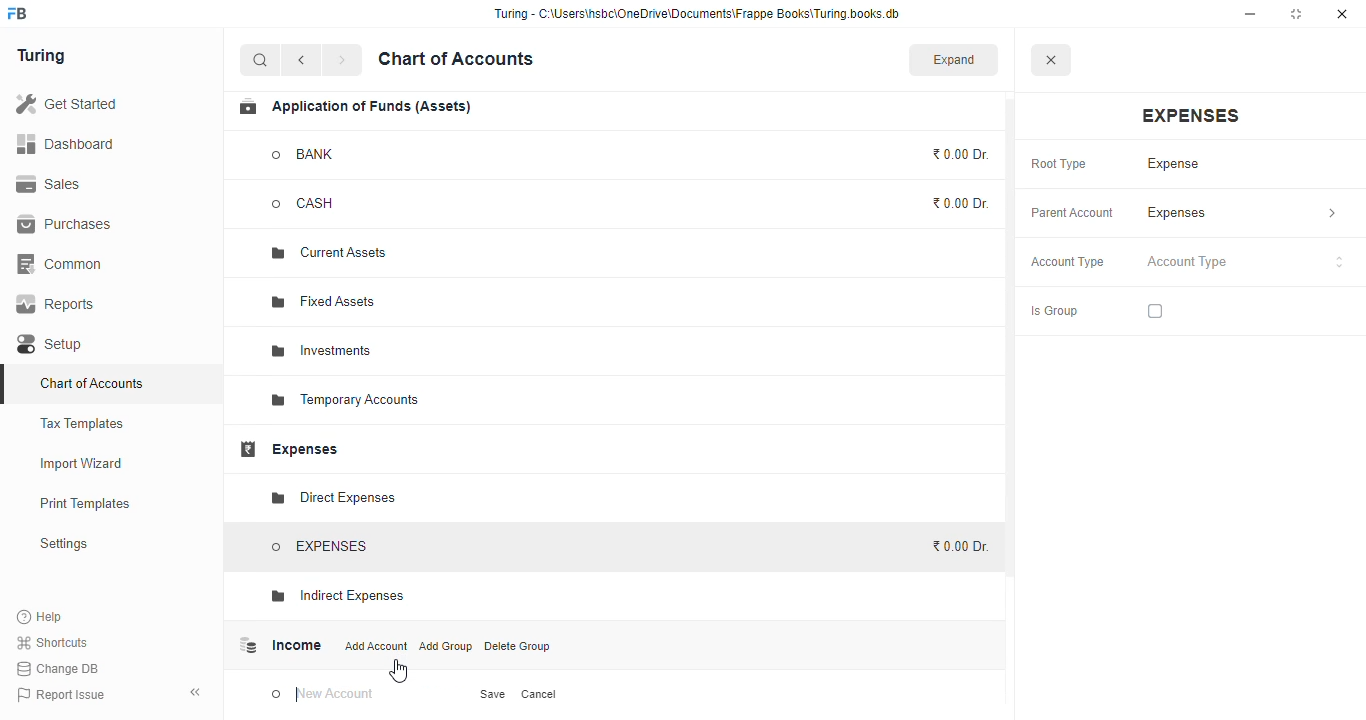 Image resolution: width=1366 pixels, height=720 pixels. I want to click on EXPENSES , so click(320, 547).